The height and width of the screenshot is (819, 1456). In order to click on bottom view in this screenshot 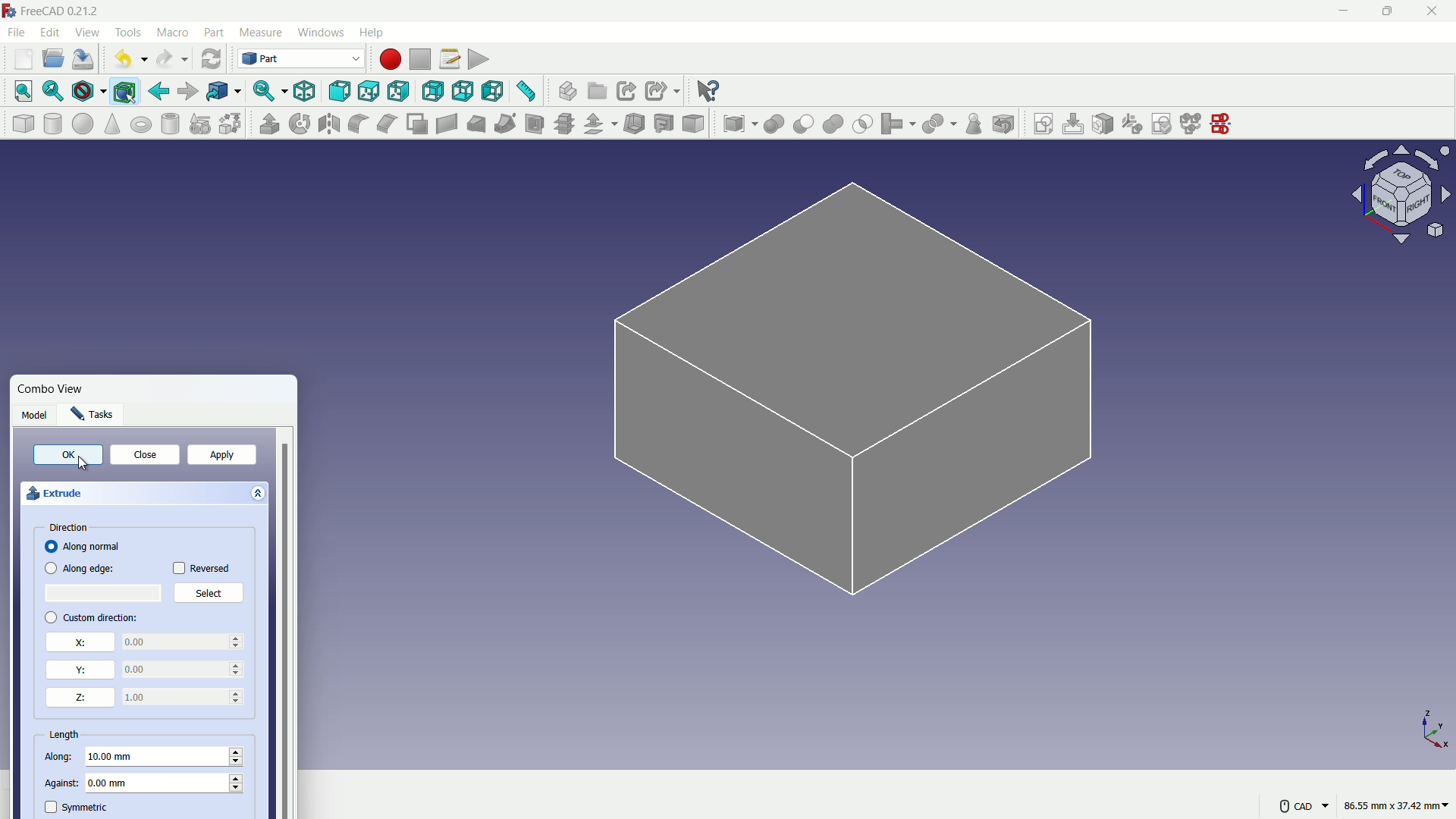, I will do `click(463, 90)`.